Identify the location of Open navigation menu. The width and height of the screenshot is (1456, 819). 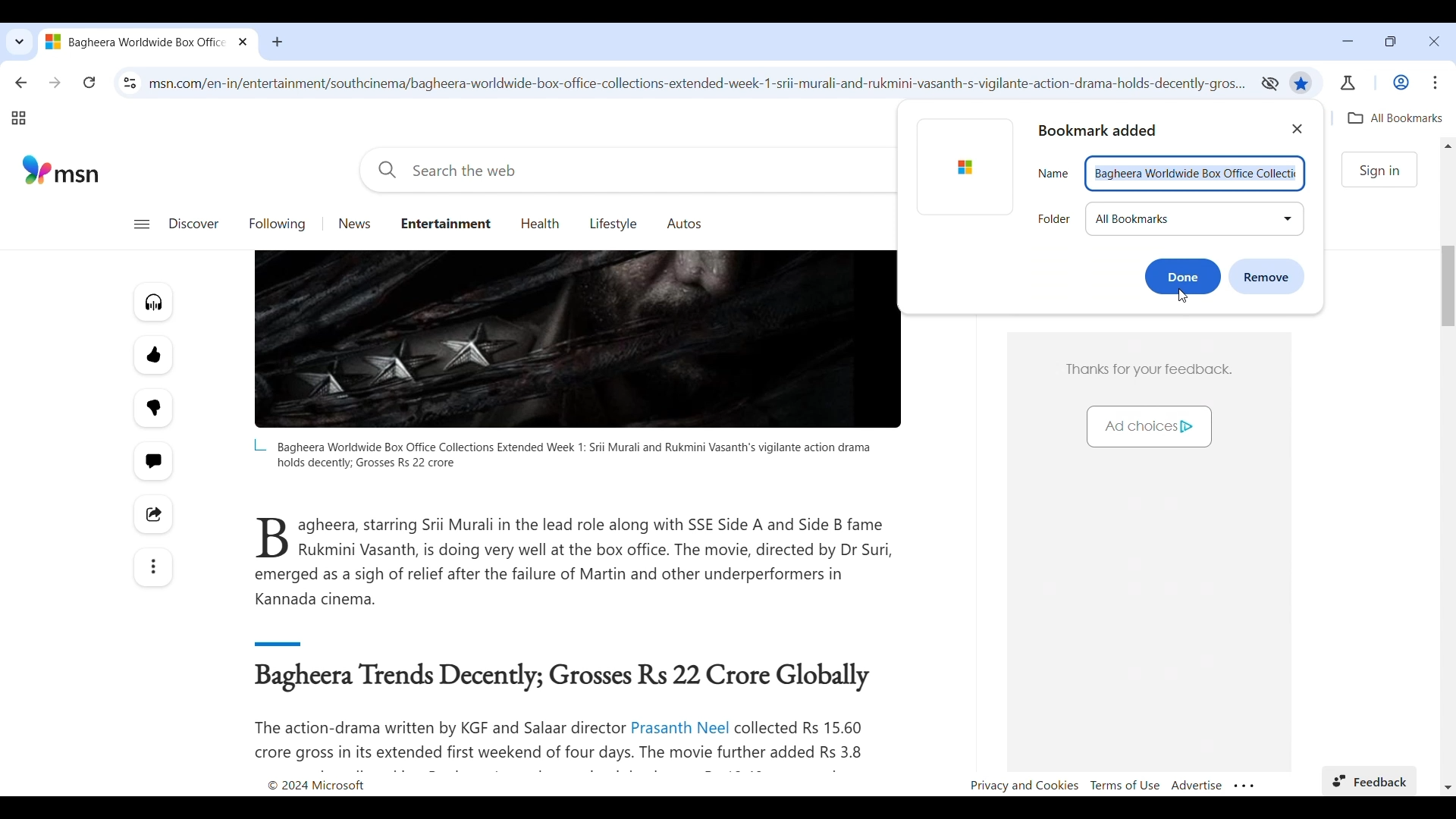
(141, 224).